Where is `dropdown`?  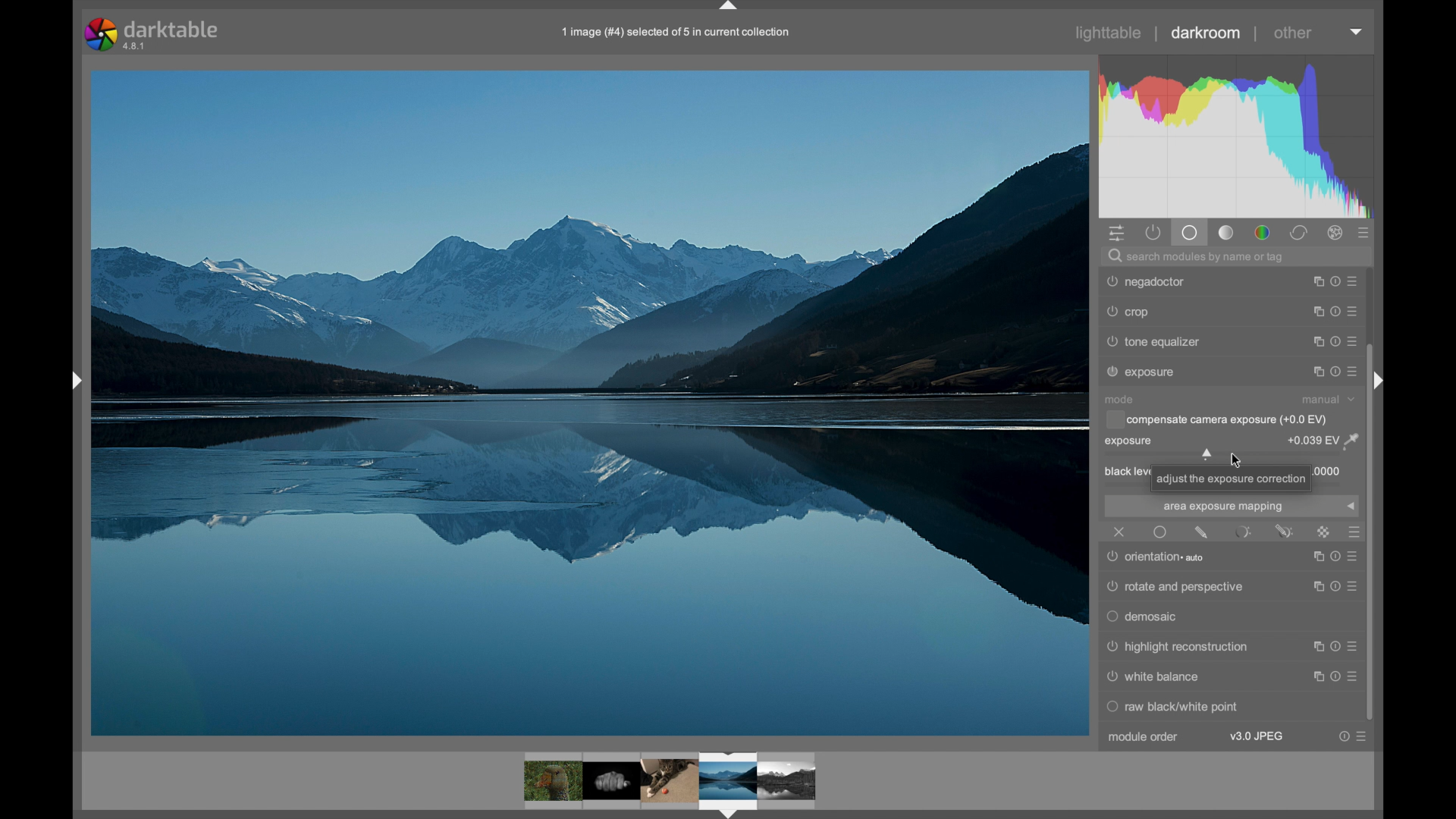 dropdown is located at coordinates (1356, 31).